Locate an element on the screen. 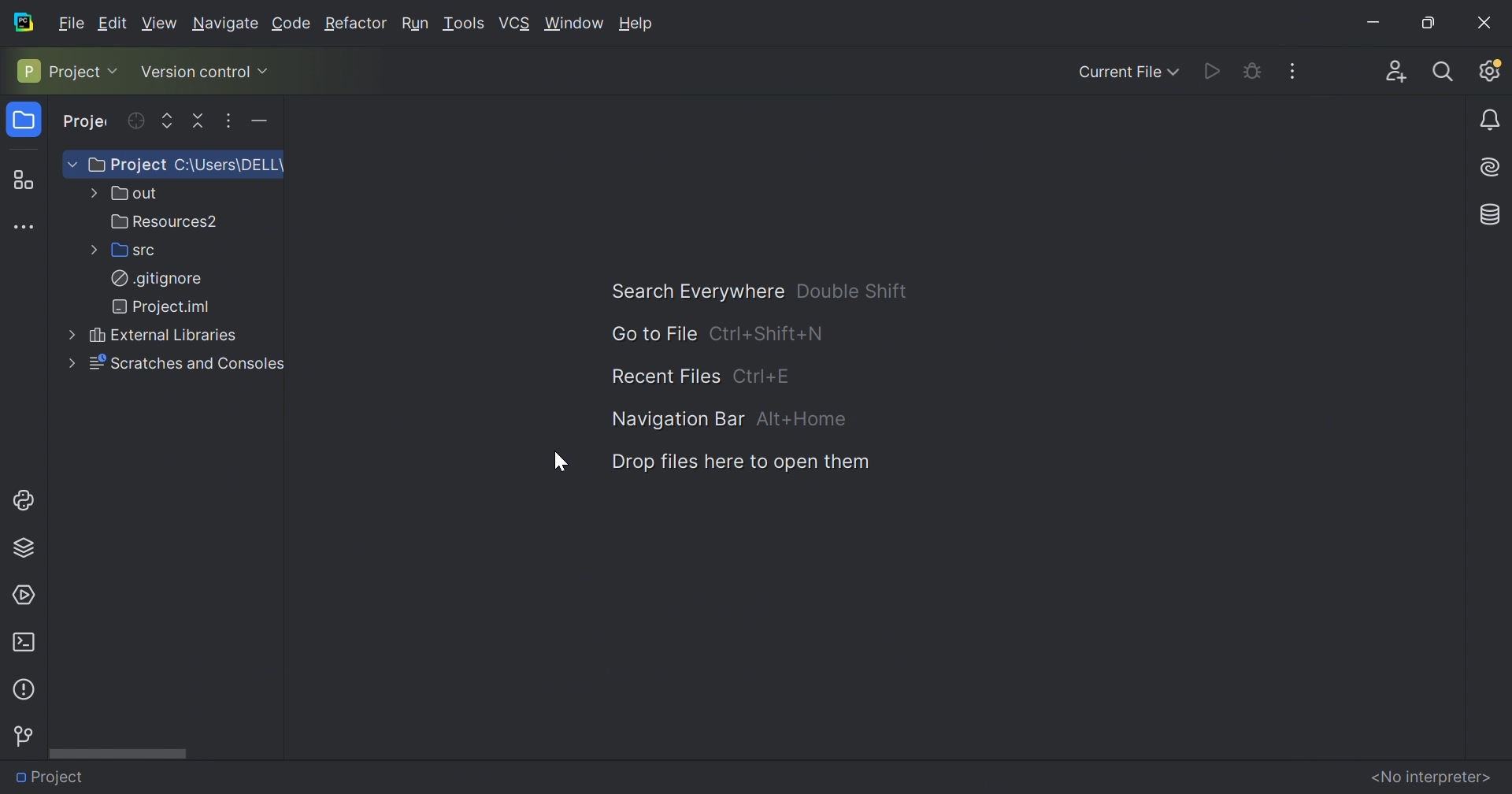 This screenshot has width=1512, height=794. More is located at coordinates (90, 195).